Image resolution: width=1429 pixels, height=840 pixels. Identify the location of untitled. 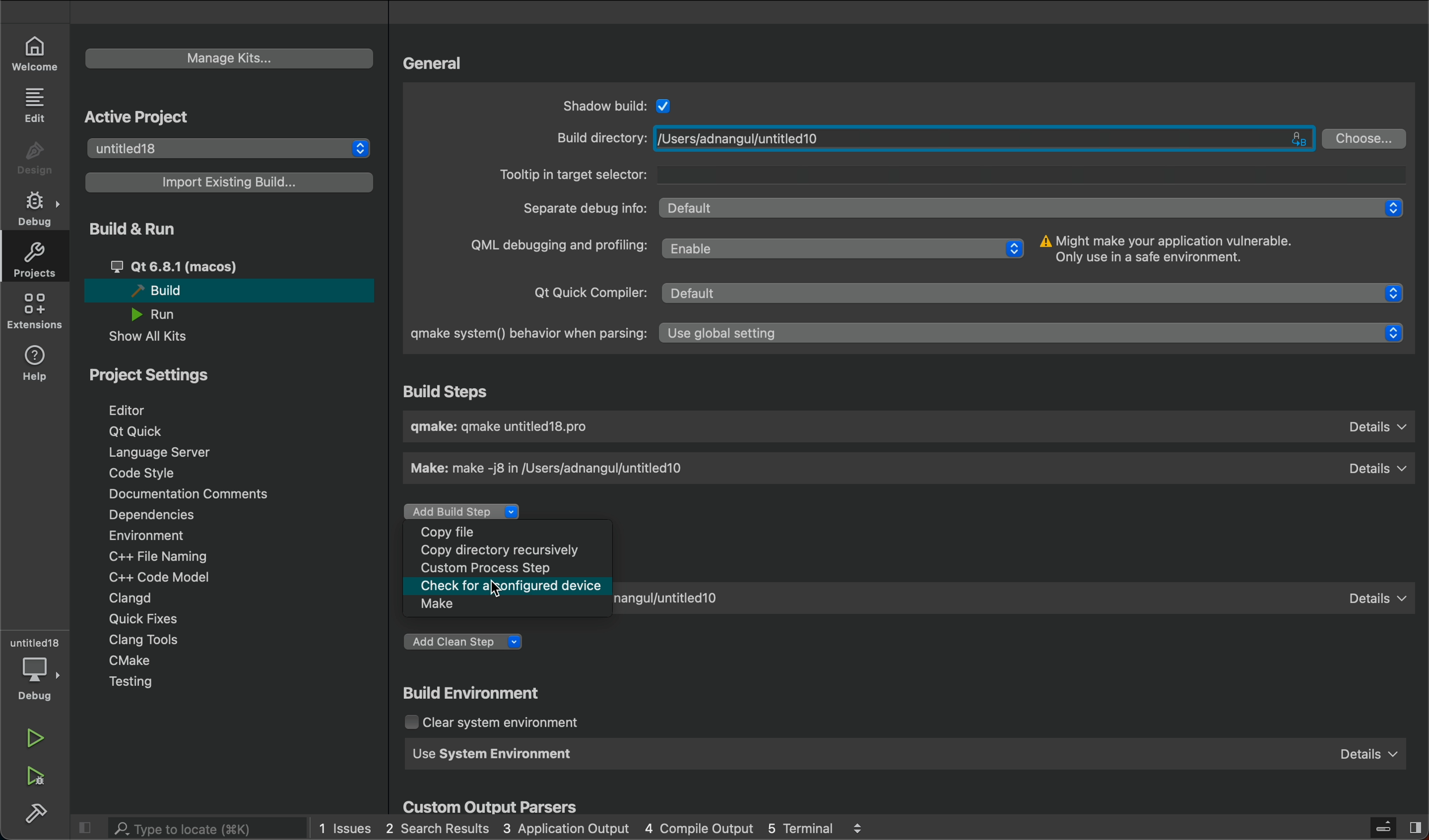
(32, 641).